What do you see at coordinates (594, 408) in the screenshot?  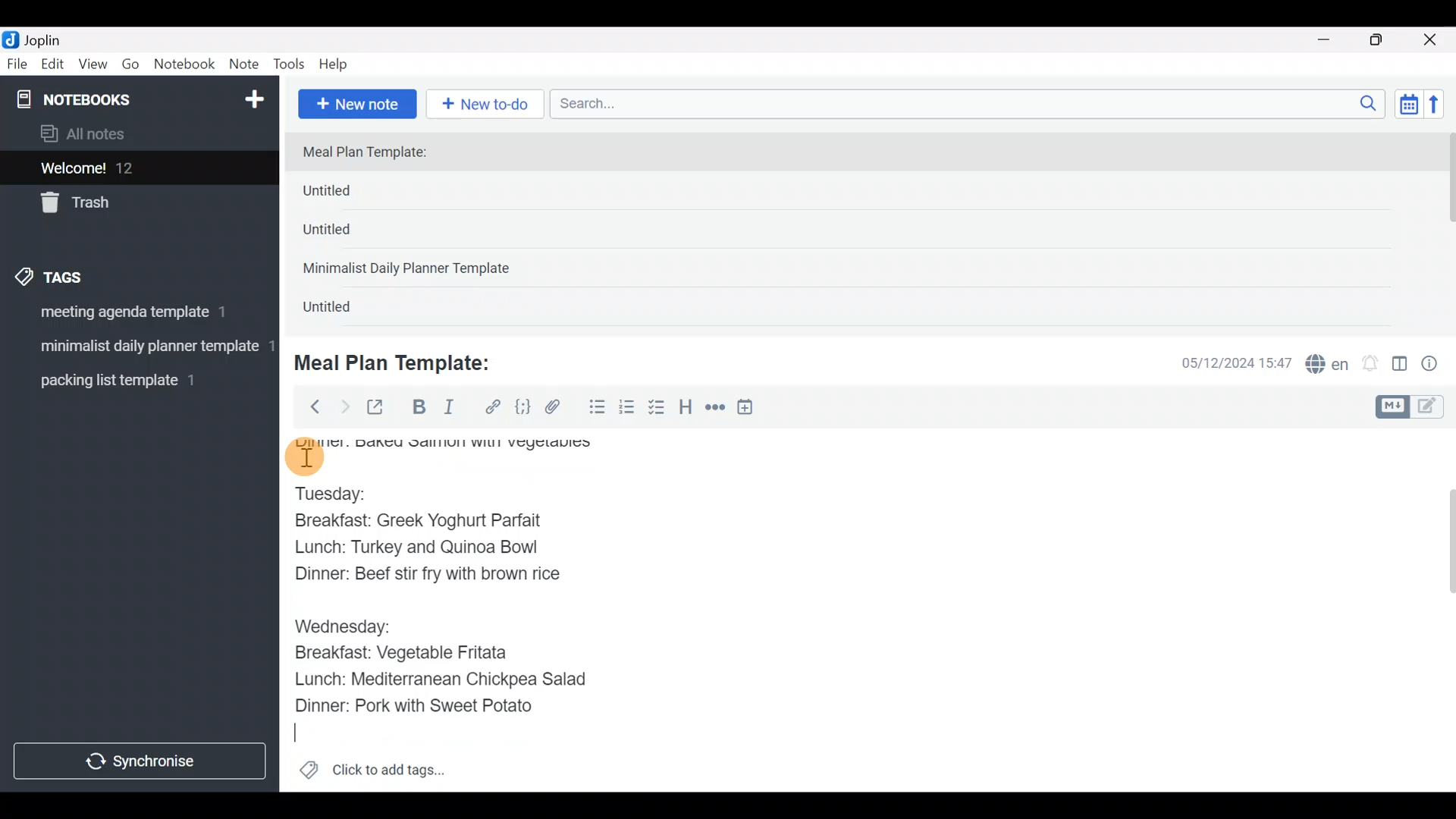 I see `Bulleted list` at bounding box center [594, 408].